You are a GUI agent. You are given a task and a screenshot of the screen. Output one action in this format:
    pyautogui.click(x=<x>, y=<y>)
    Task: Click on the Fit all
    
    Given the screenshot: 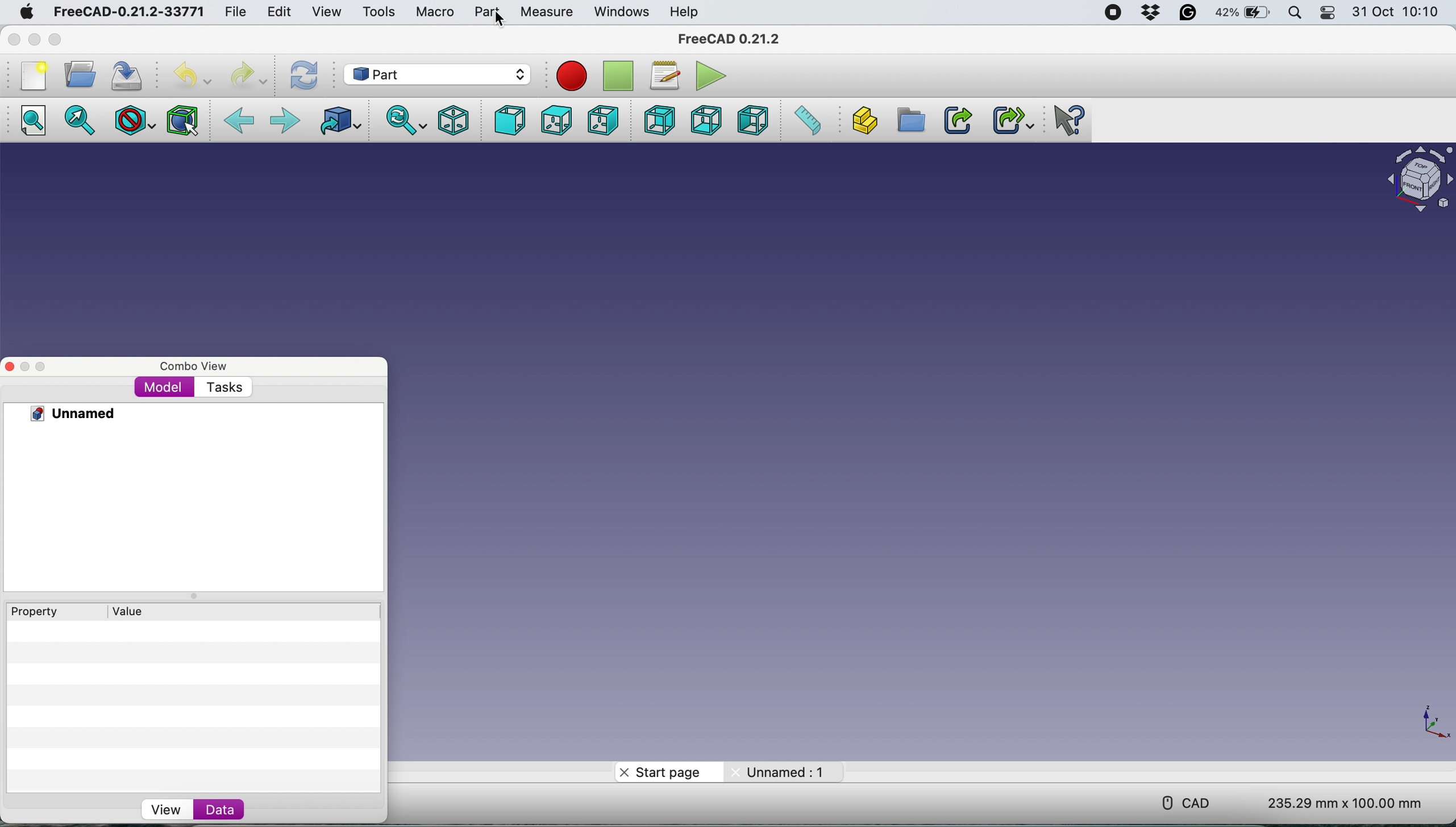 What is the action you would take?
    pyautogui.click(x=32, y=118)
    